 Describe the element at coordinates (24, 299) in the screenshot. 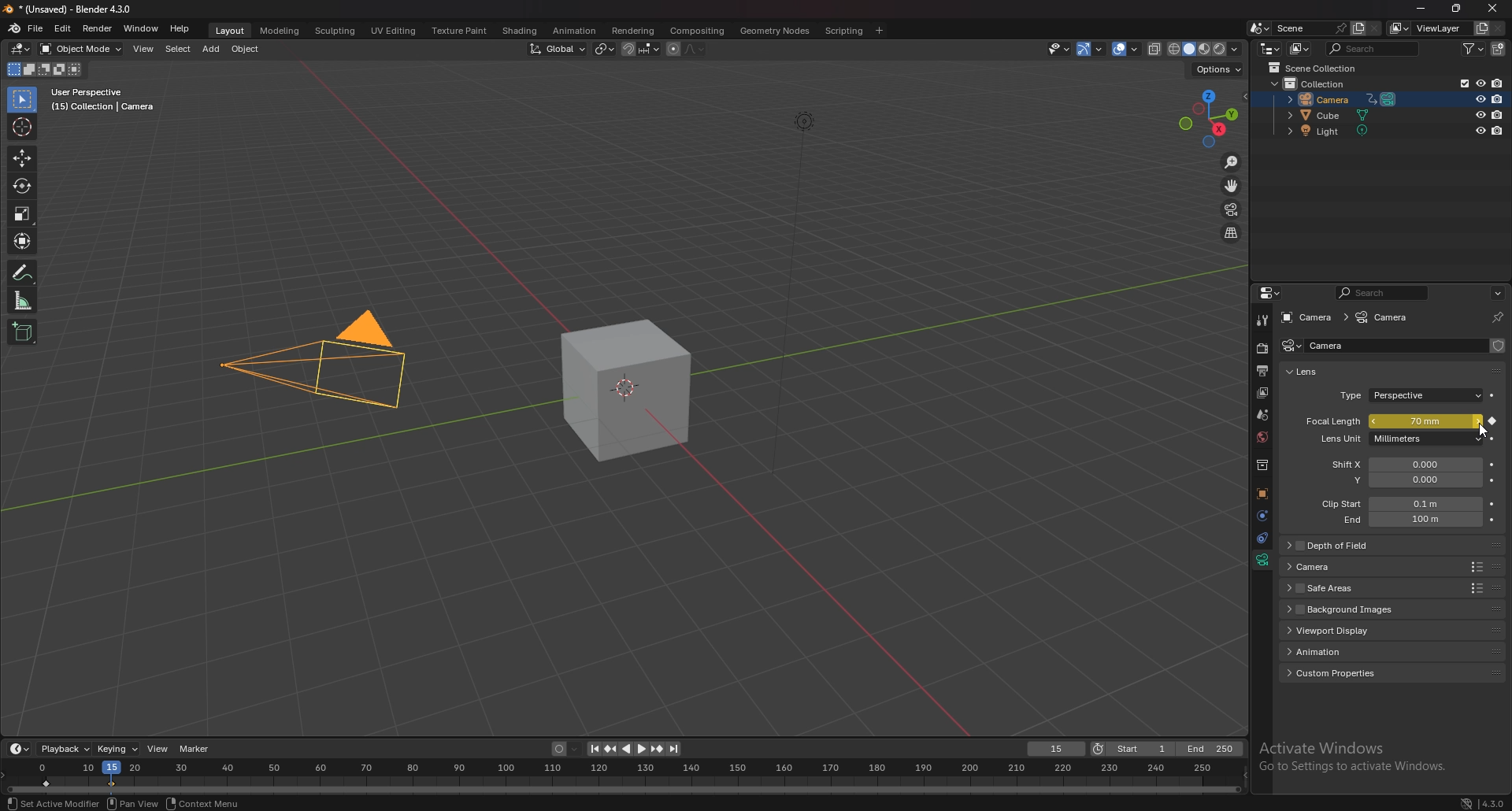

I see `measure` at that location.